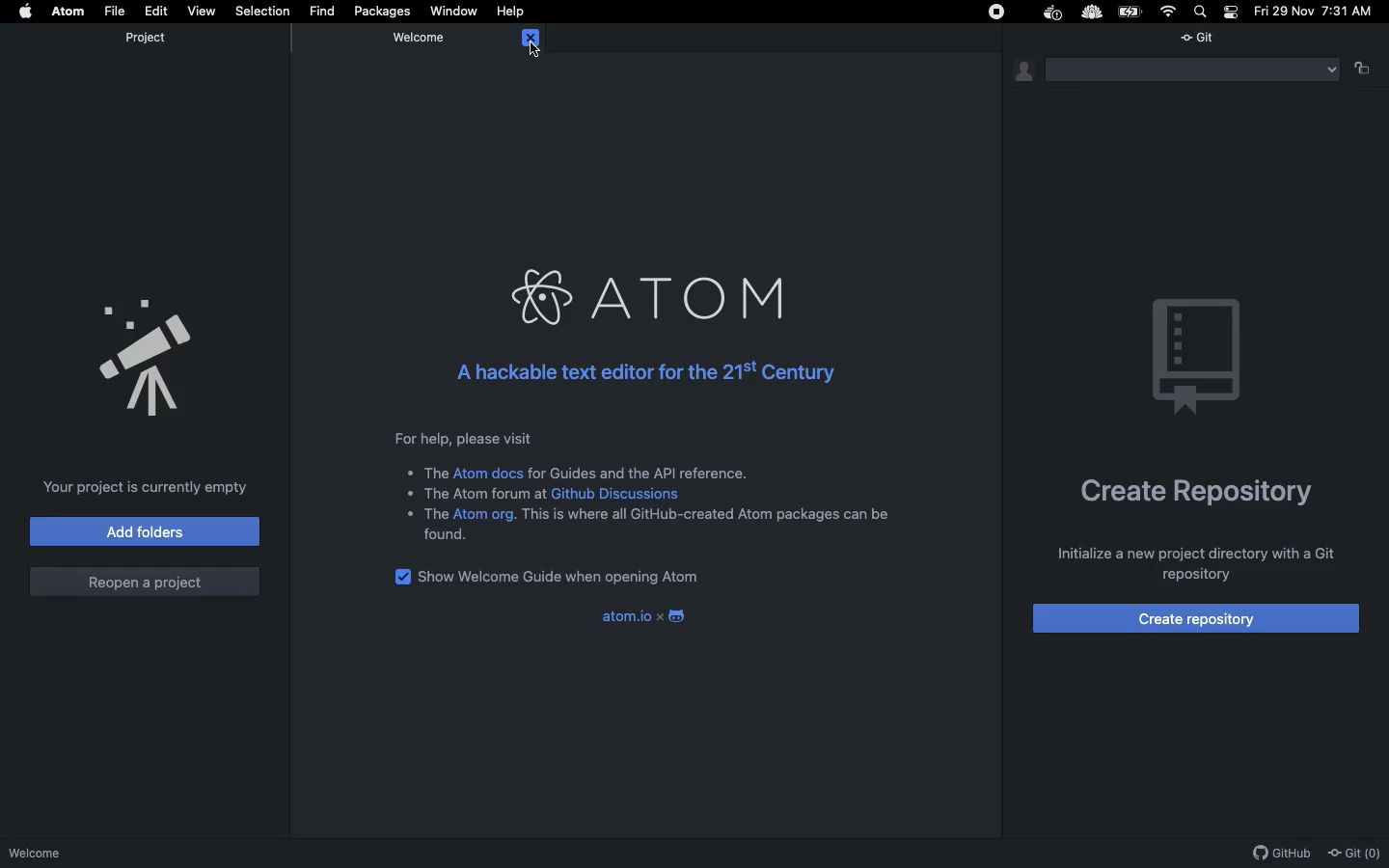  I want to click on Atom, so click(657, 300).